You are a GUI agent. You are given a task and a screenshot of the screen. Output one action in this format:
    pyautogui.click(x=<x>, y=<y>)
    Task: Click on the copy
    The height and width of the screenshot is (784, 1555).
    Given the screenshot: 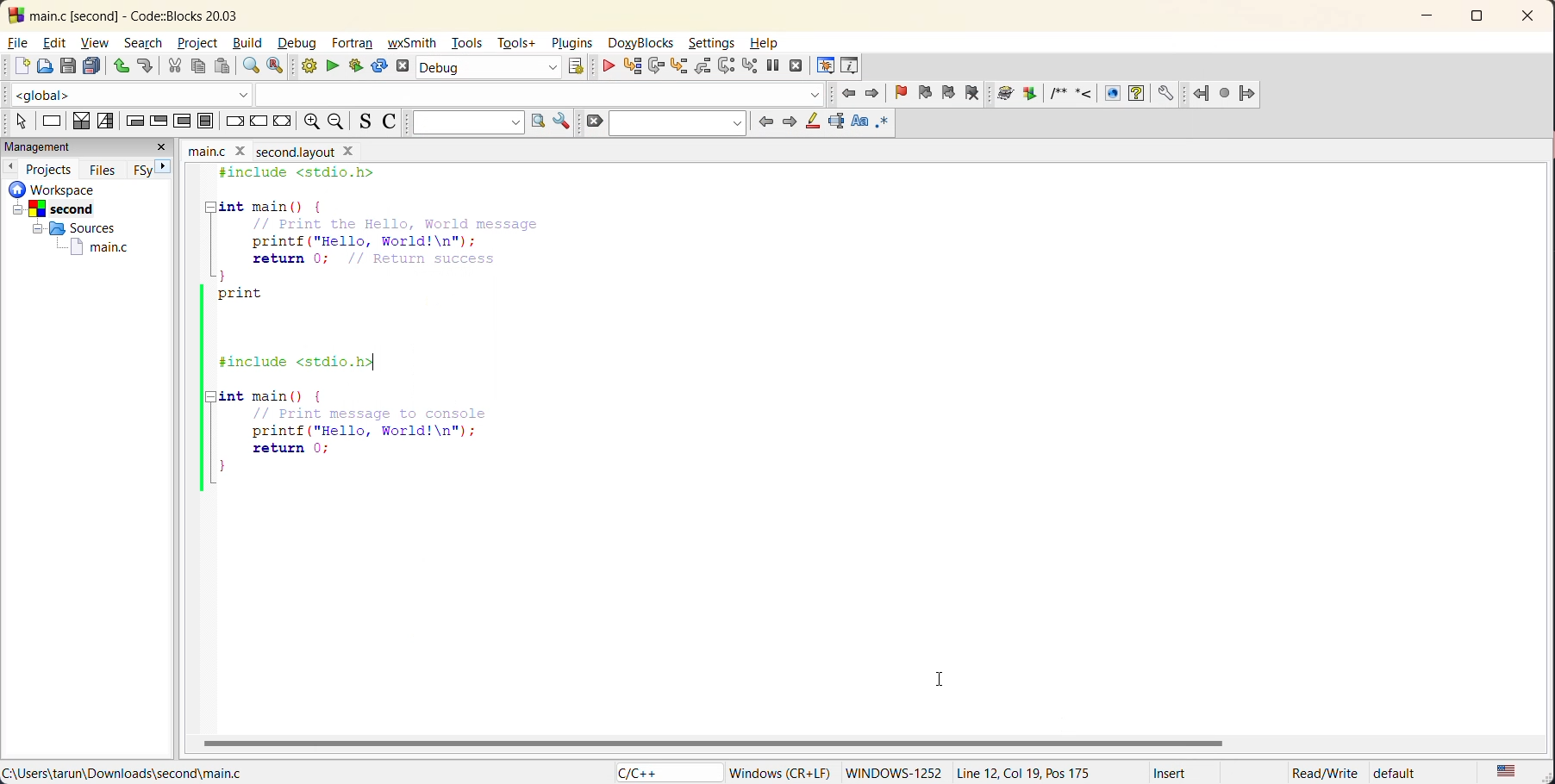 What is the action you would take?
    pyautogui.click(x=197, y=65)
    